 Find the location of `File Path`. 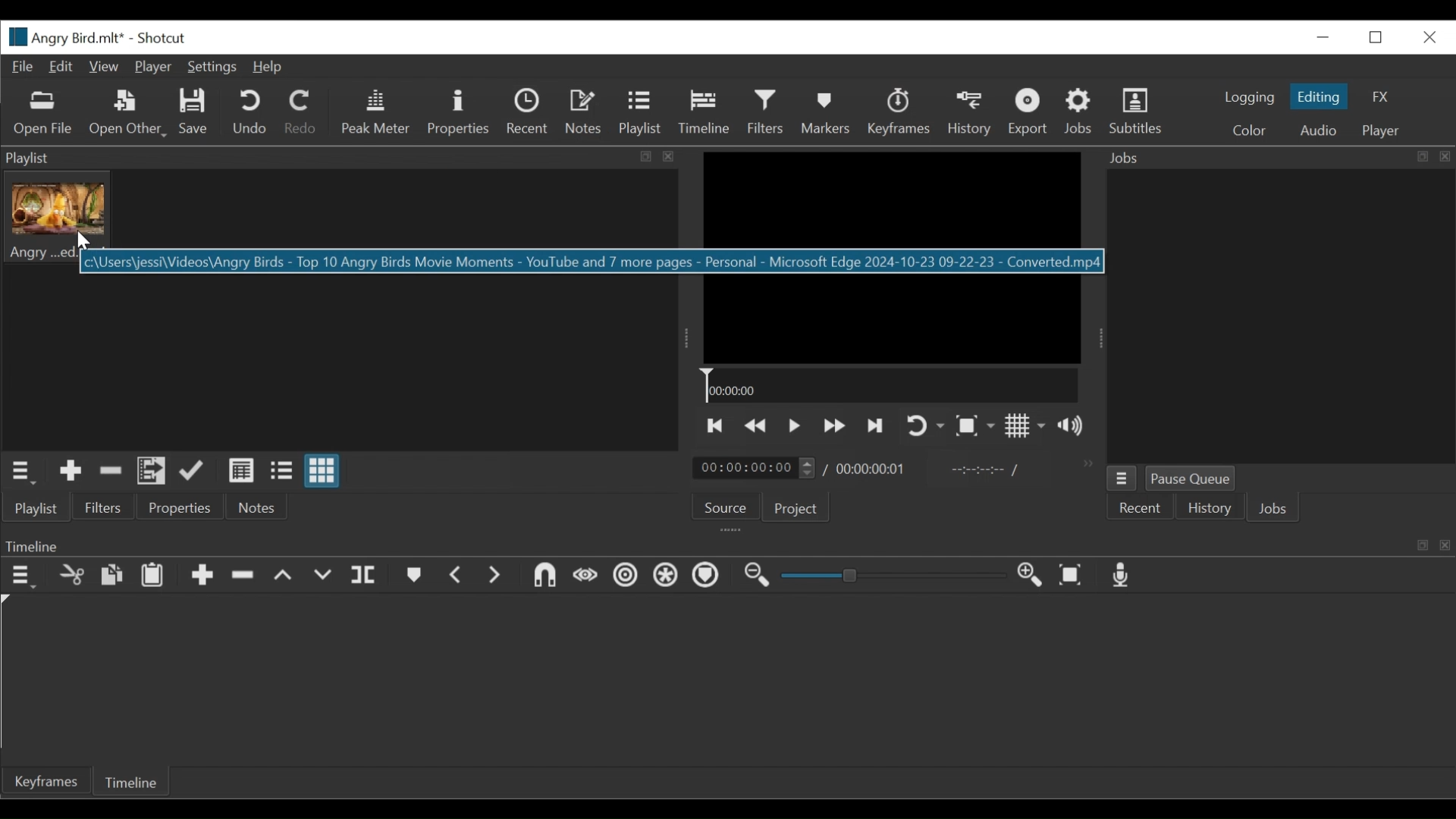

File Path is located at coordinates (592, 262).